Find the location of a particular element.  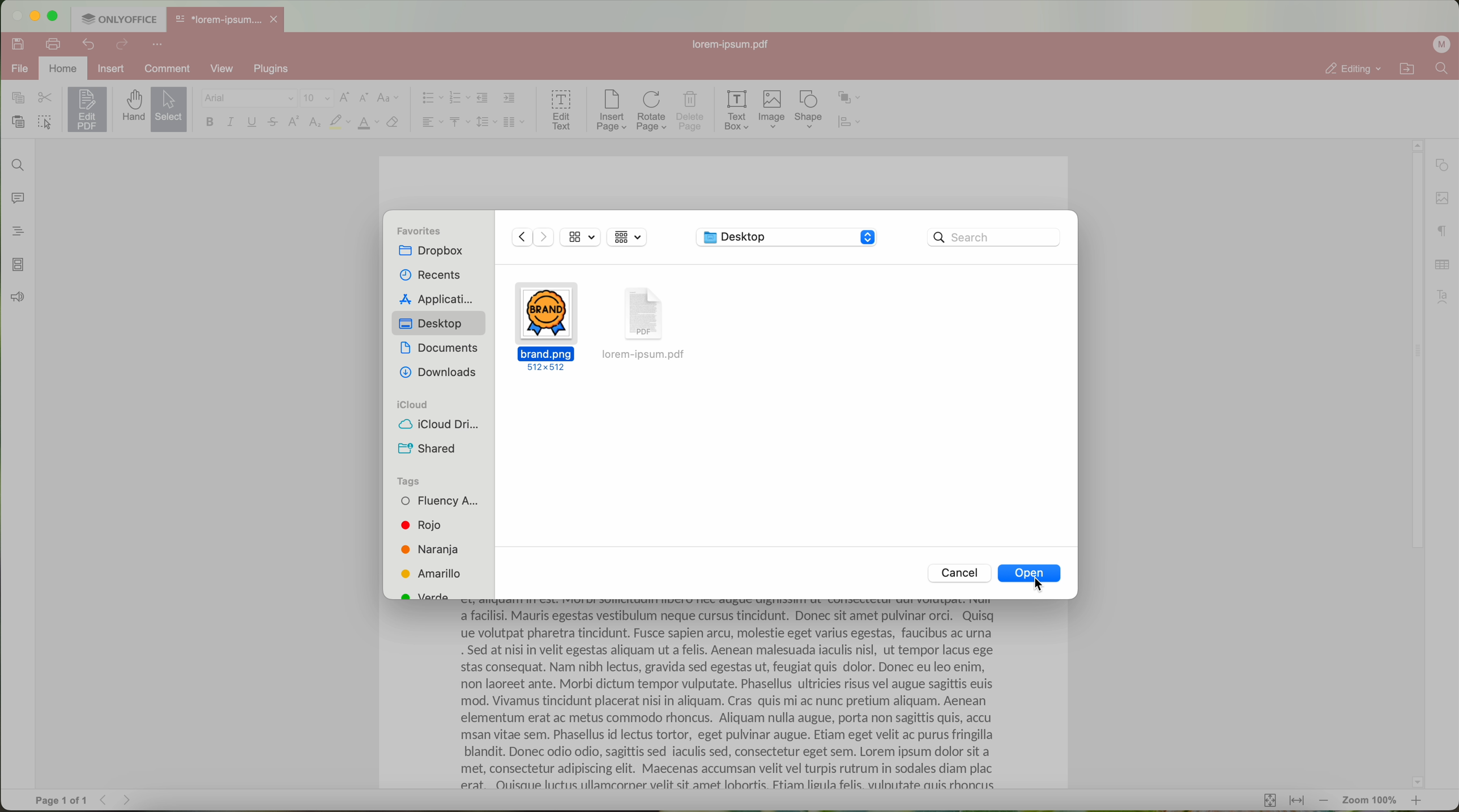

ONLYOFFICE is located at coordinates (118, 18).